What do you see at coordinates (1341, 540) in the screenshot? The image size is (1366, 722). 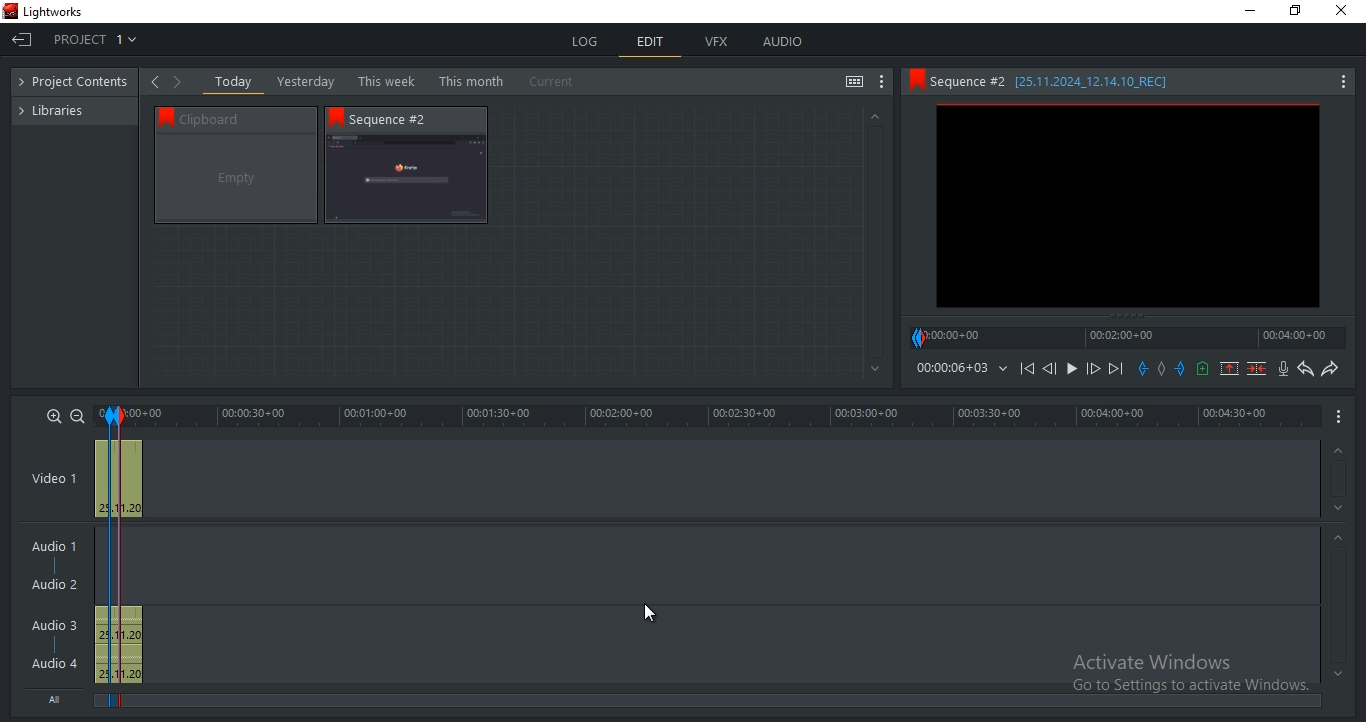 I see `Greyed out up arrow` at bounding box center [1341, 540].